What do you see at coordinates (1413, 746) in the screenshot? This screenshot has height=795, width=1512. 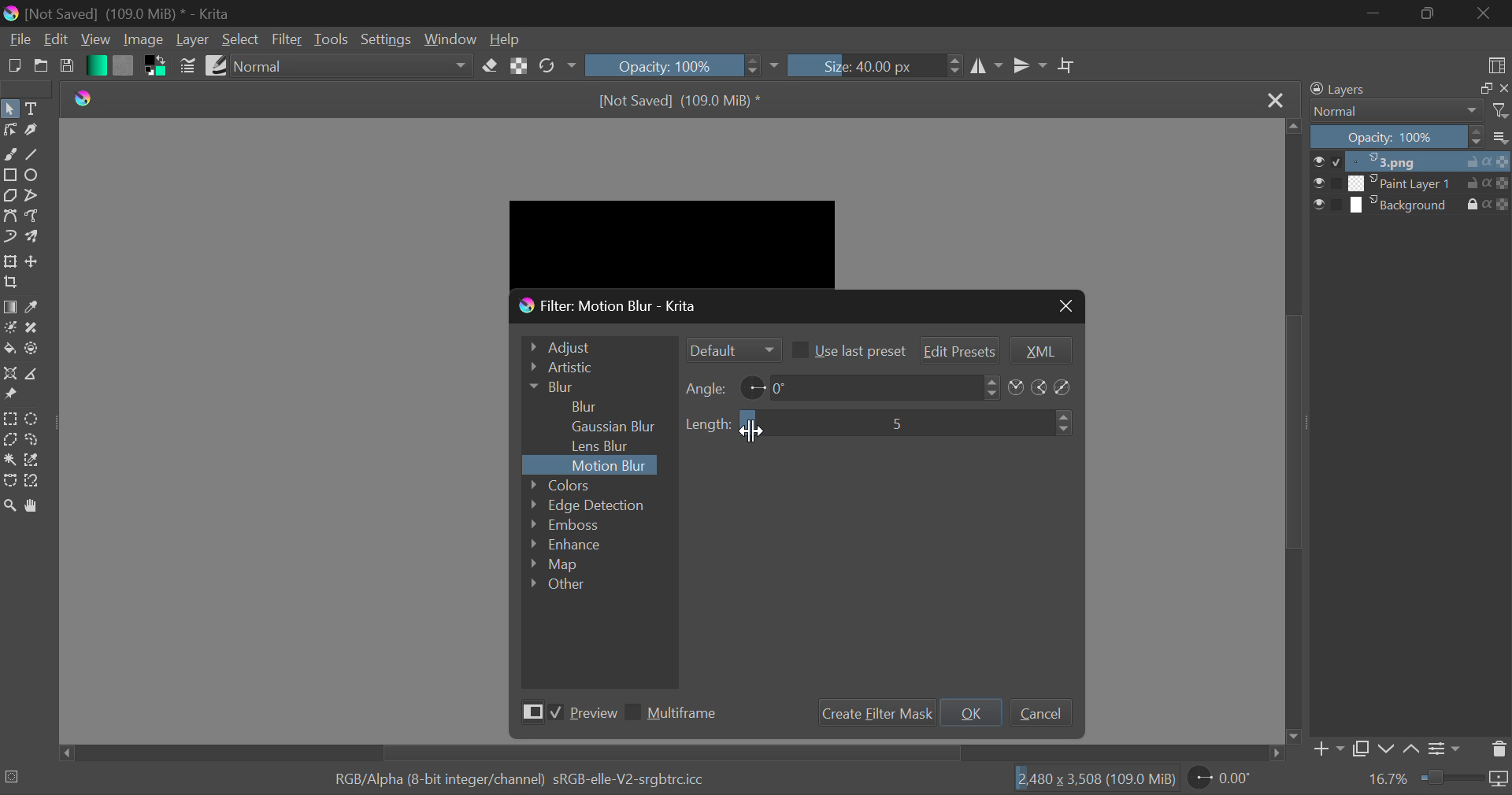 I see `Move Layer Up` at bounding box center [1413, 746].